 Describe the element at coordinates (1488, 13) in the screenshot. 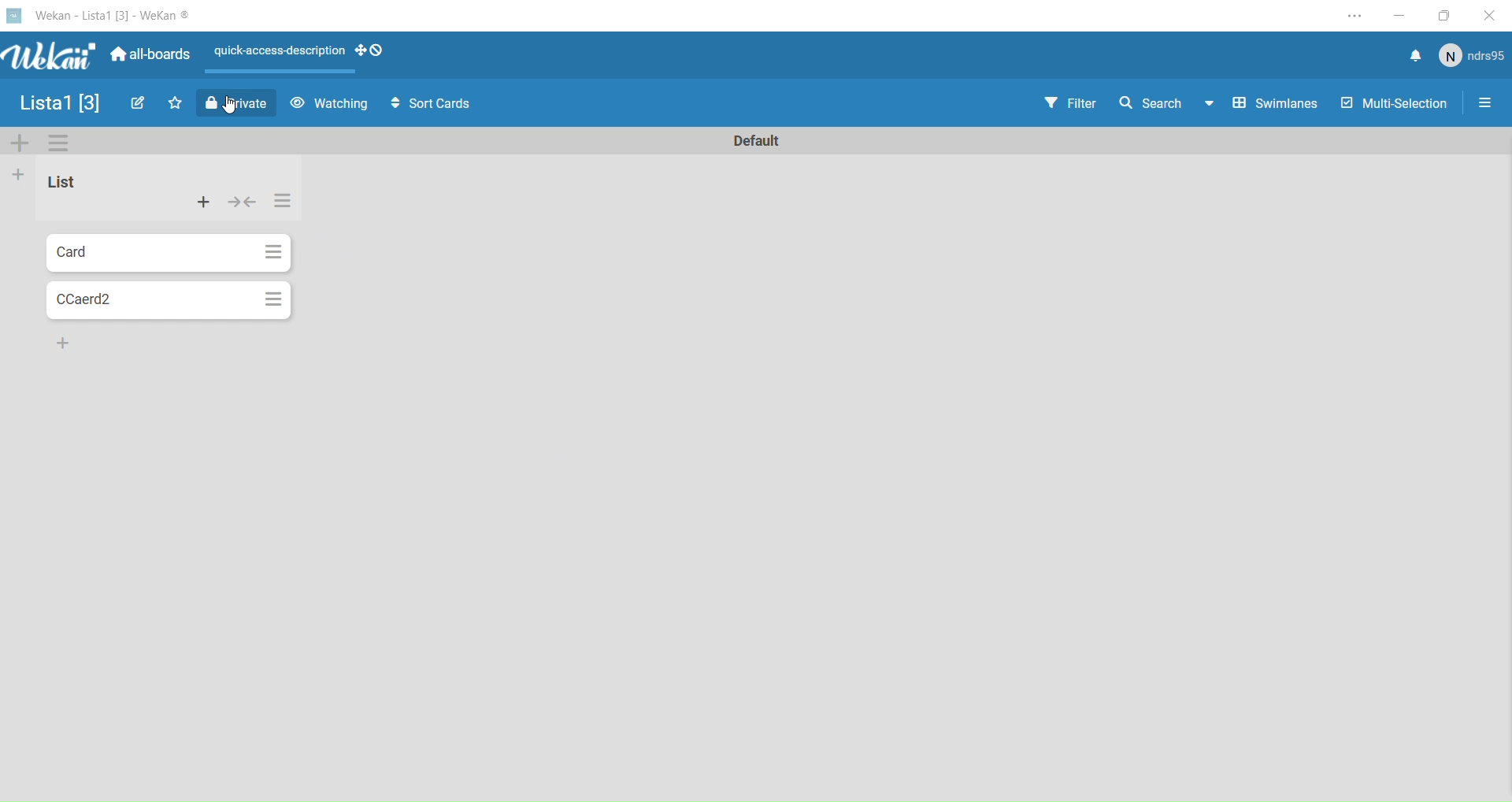

I see `Close` at that location.